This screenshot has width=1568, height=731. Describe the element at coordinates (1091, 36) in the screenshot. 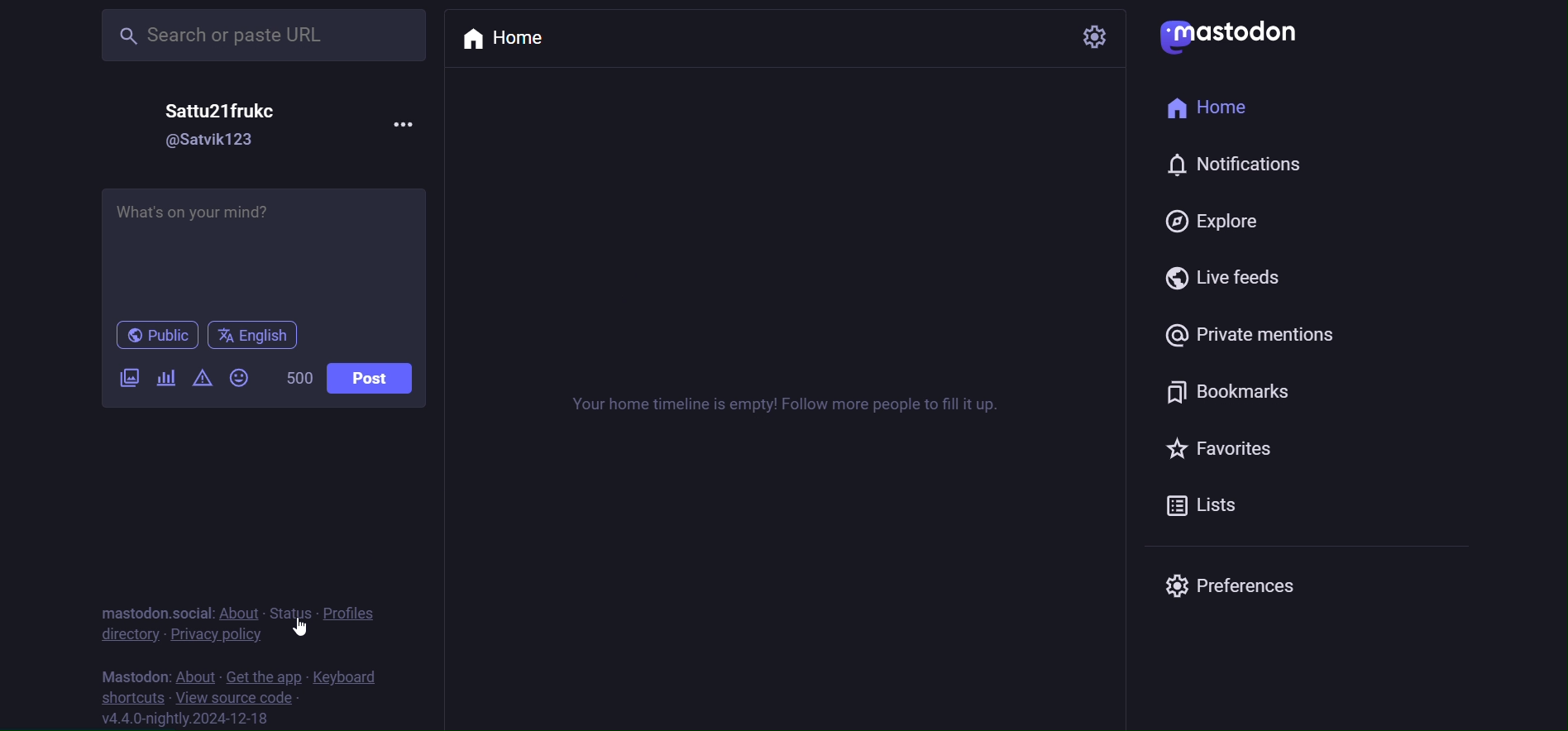

I see `Setting` at that location.